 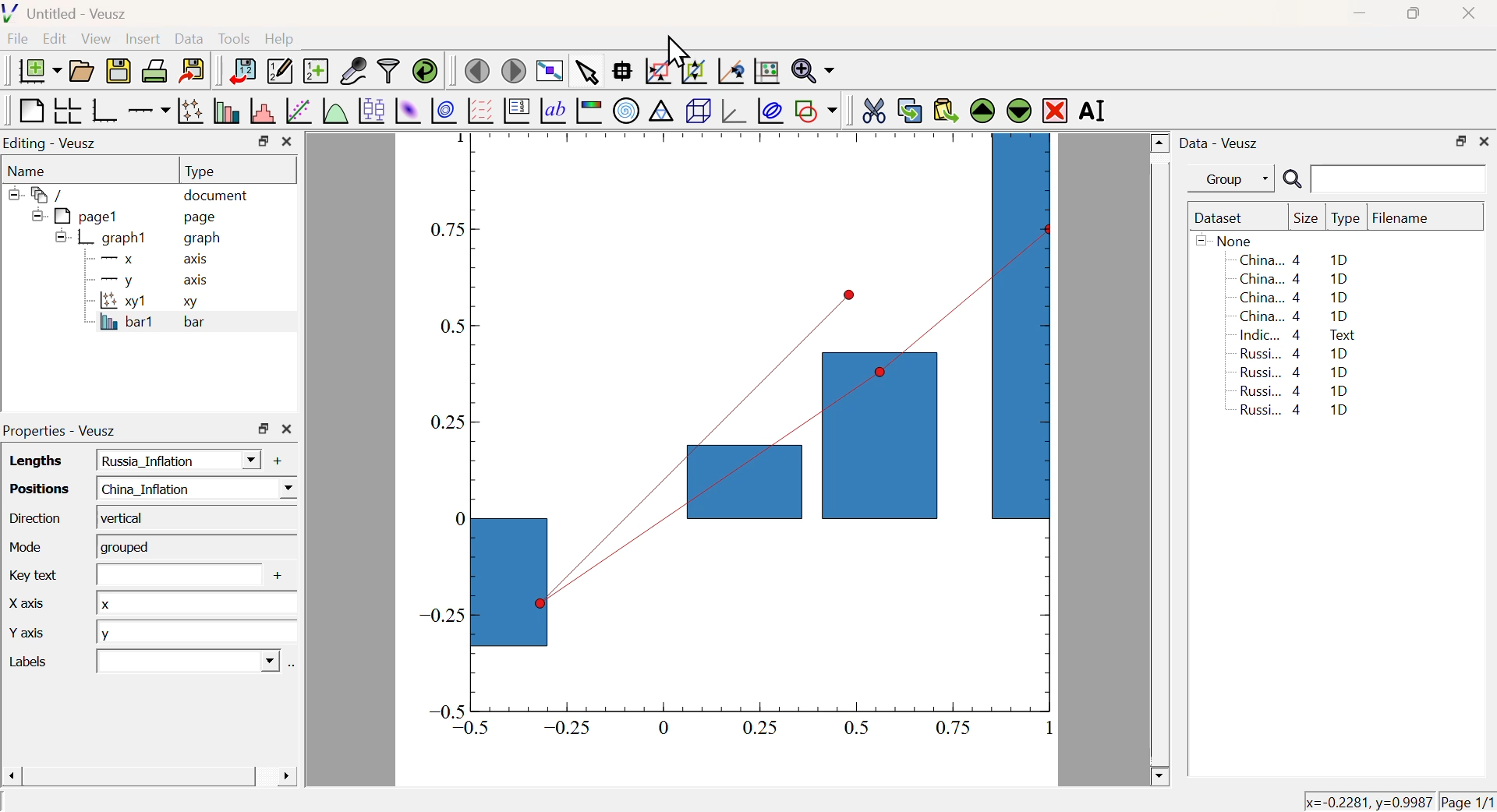 What do you see at coordinates (586, 75) in the screenshot?
I see `Select items from graph or scroll` at bounding box center [586, 75].